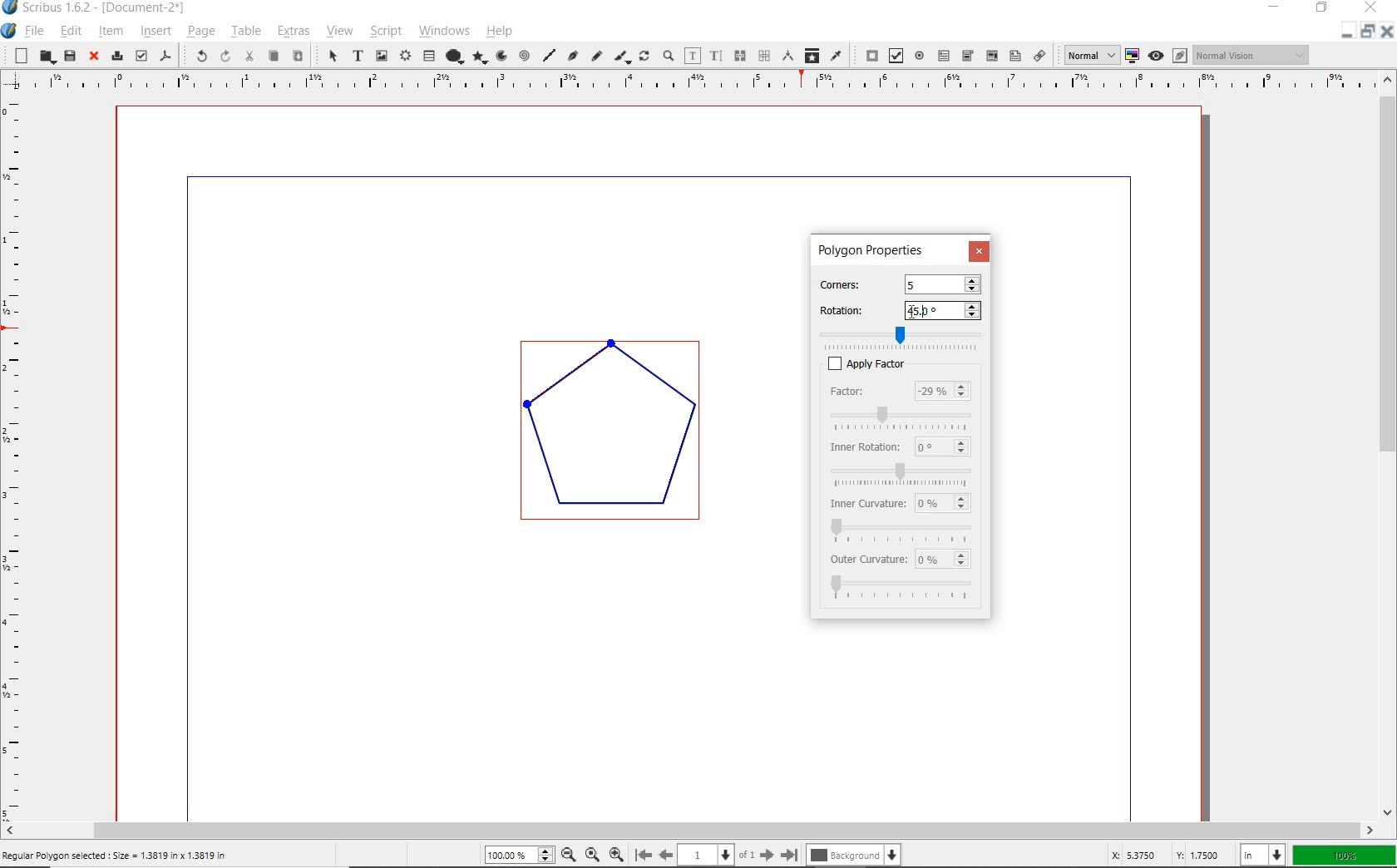 This screenshot has width=1397, height=868. I want to click on Move to next page, so click(760, 855).